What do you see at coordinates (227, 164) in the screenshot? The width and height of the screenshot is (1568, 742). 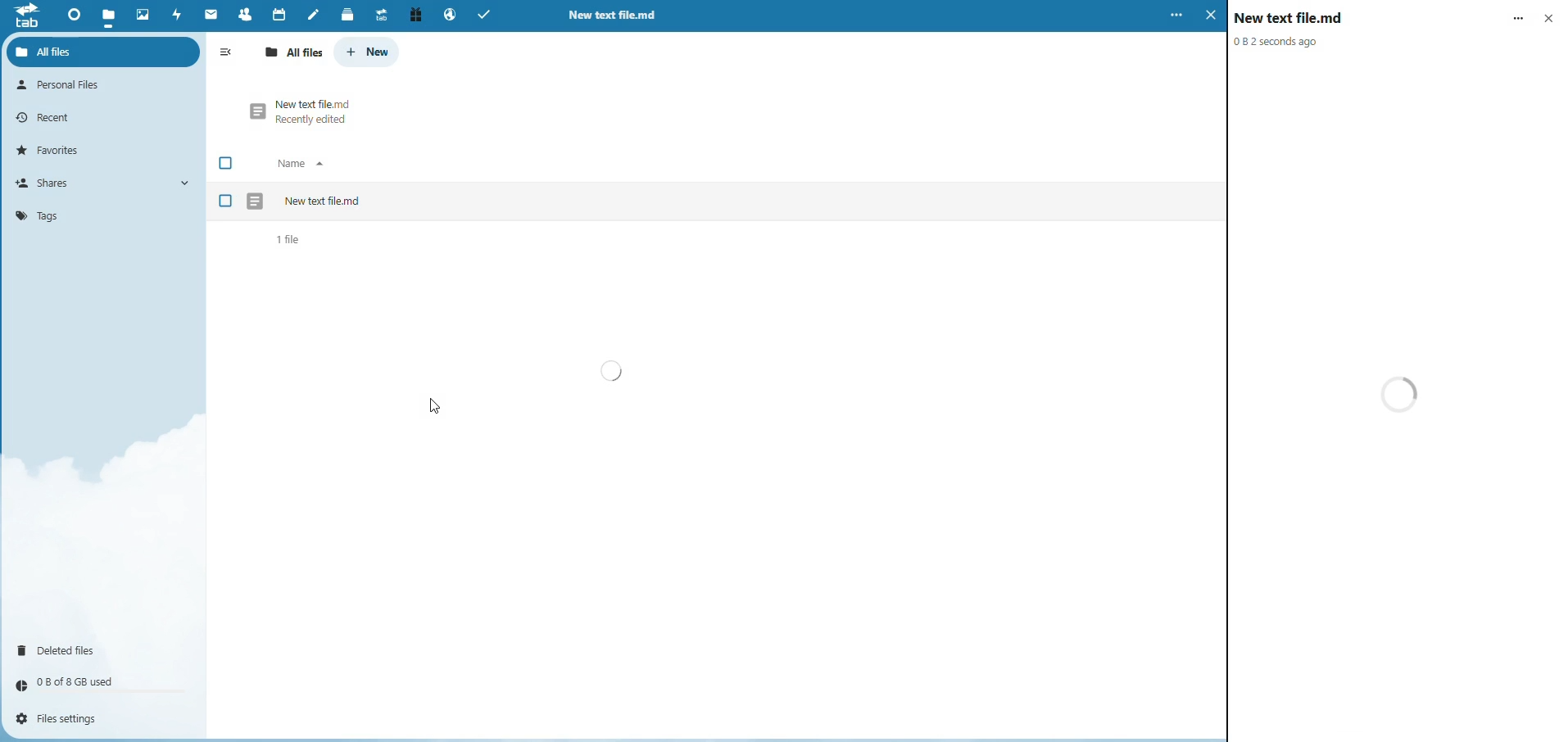 I see `Check Box` at bounding box center [227, 164].